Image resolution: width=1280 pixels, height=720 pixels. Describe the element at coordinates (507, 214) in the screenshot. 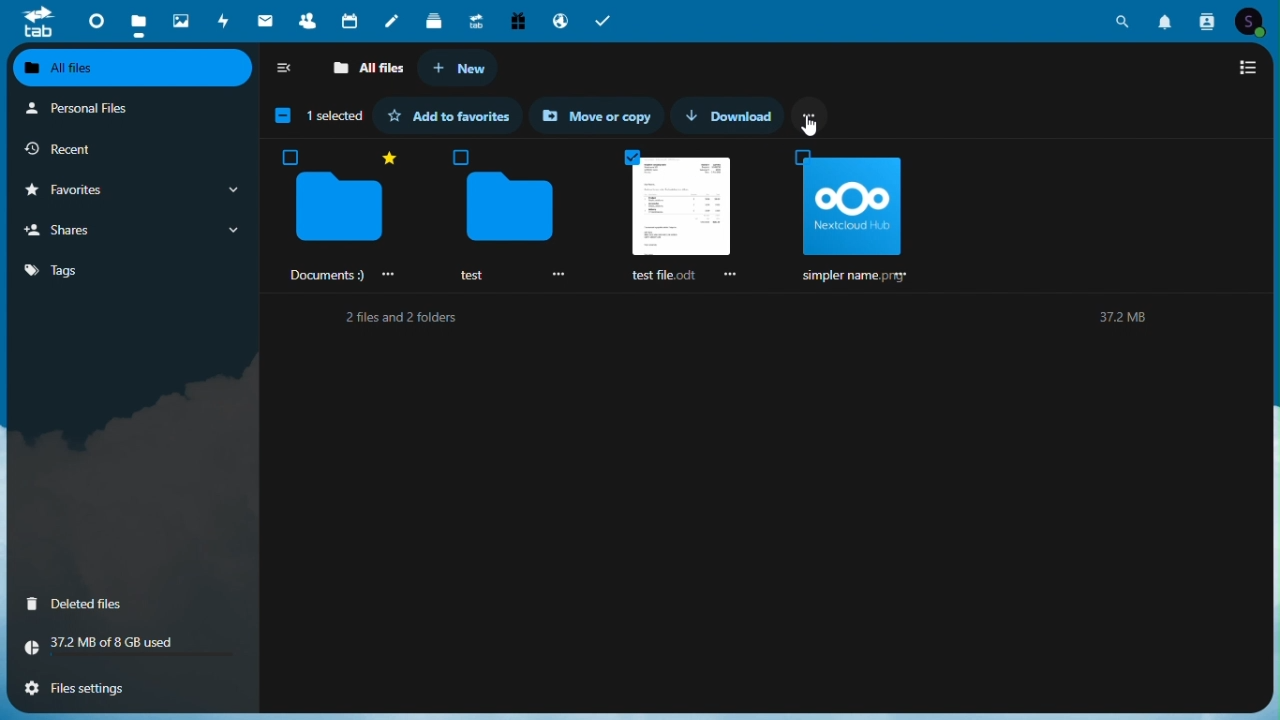

I see `test` at that location.